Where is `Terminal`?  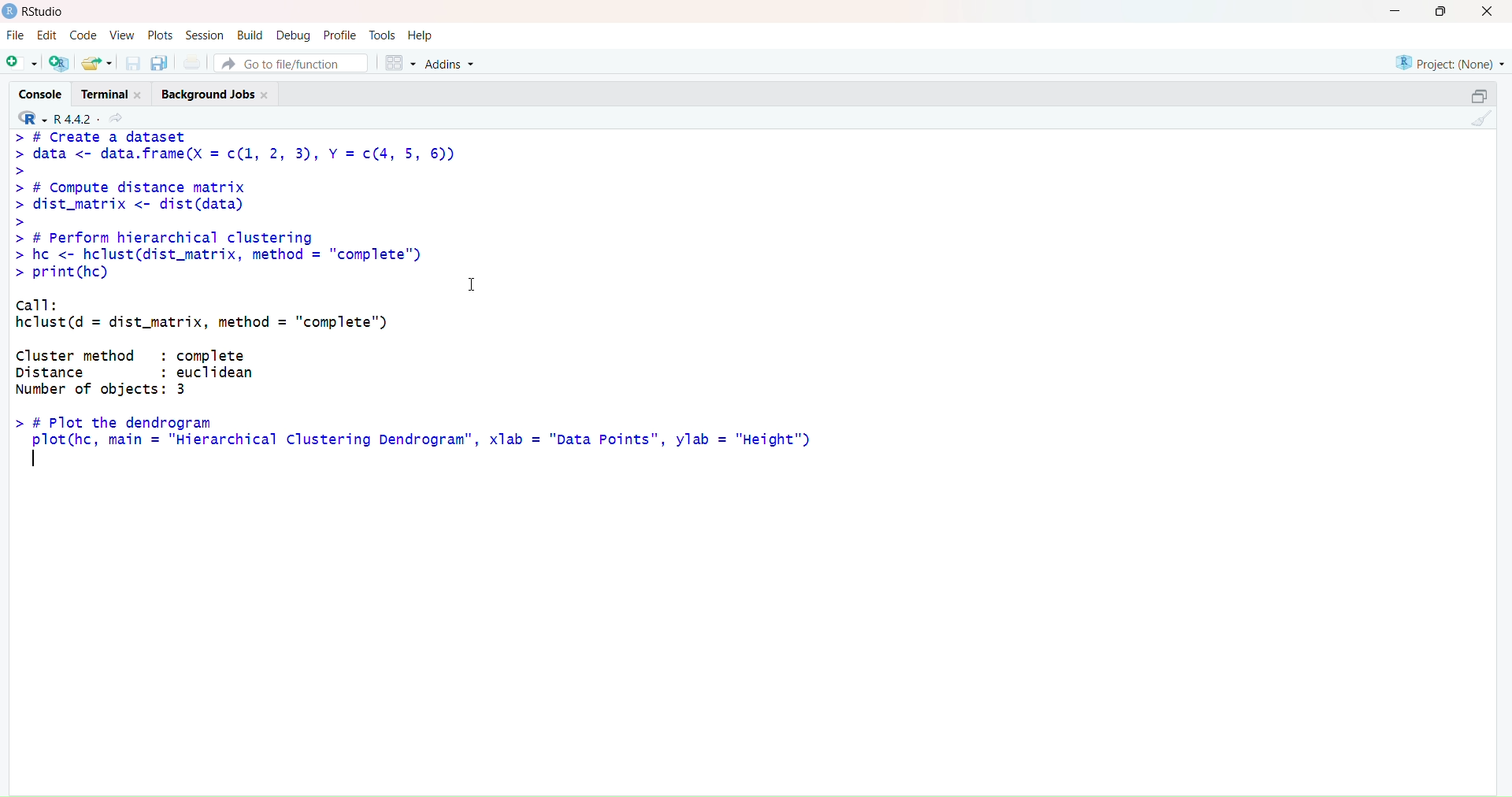 Terminal is located at coordinates (109, 94).